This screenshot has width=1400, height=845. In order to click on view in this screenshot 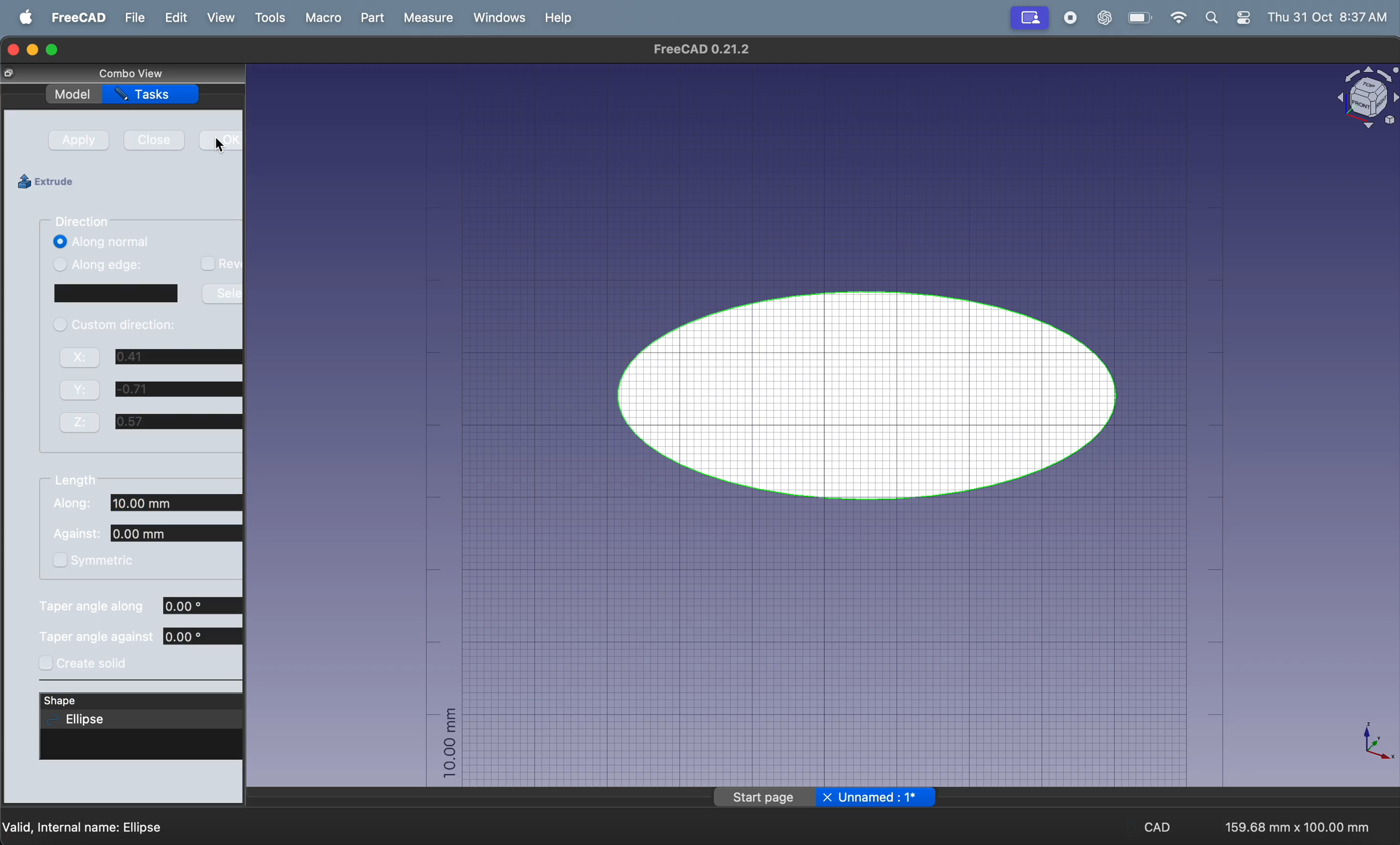, I will do `click(219, 18)`.